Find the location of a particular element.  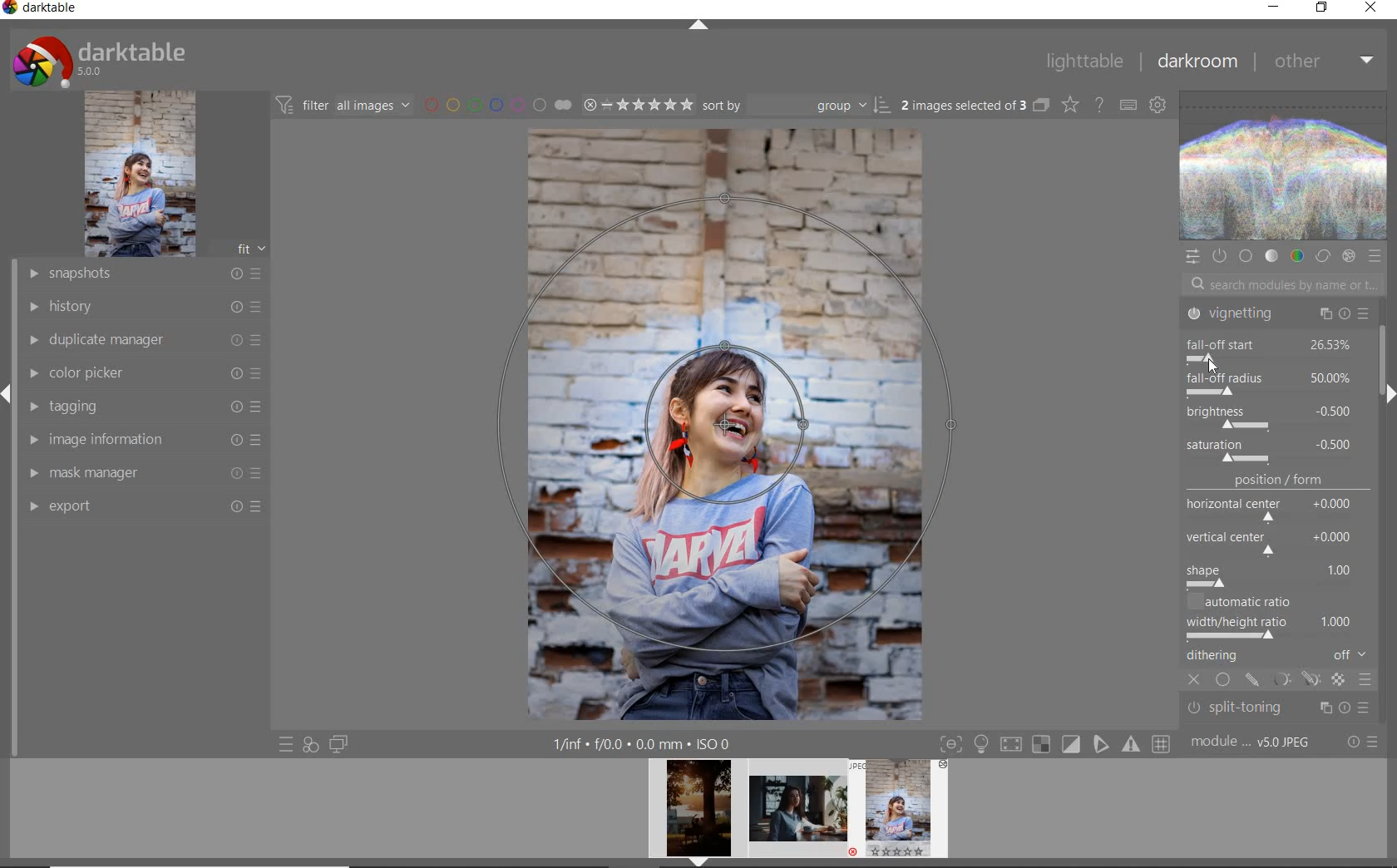

correct is located at coordinates (1323, 257).